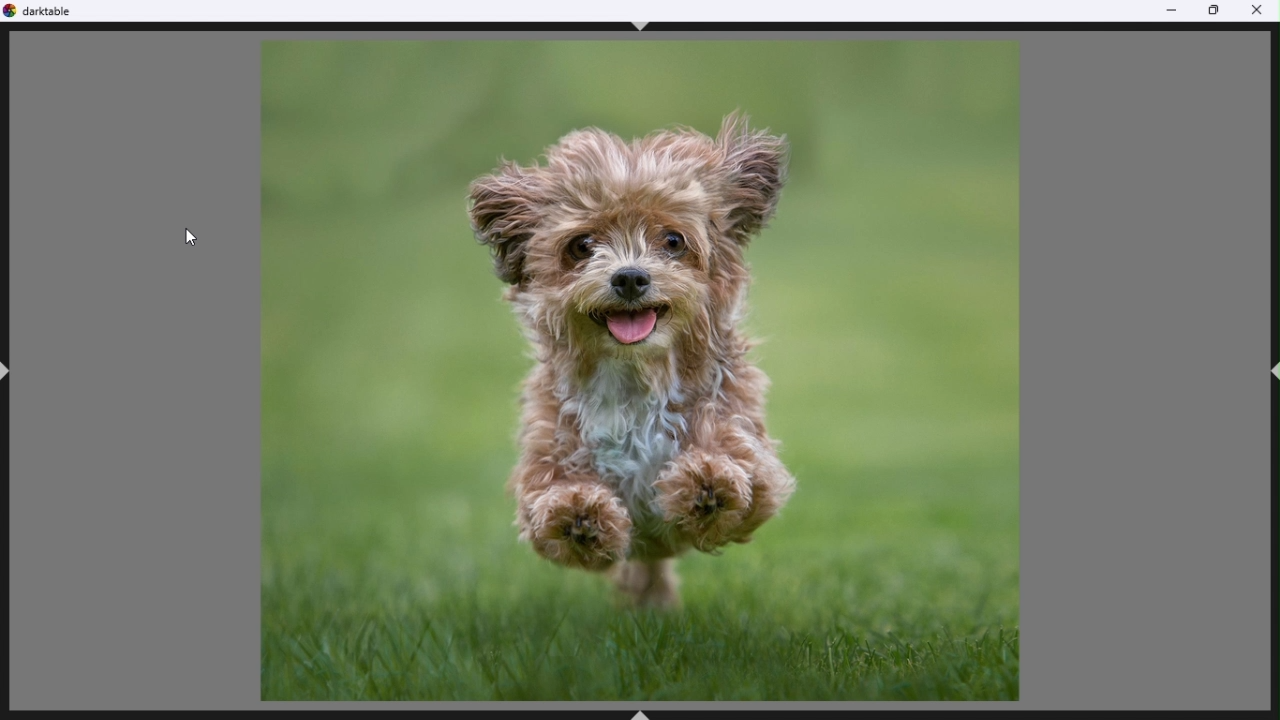 The width and height of the screenshot is (1280, 720). Describe the element at coordinates (191, 236) in the screenshot. I see `Mouse pointer` at that location.